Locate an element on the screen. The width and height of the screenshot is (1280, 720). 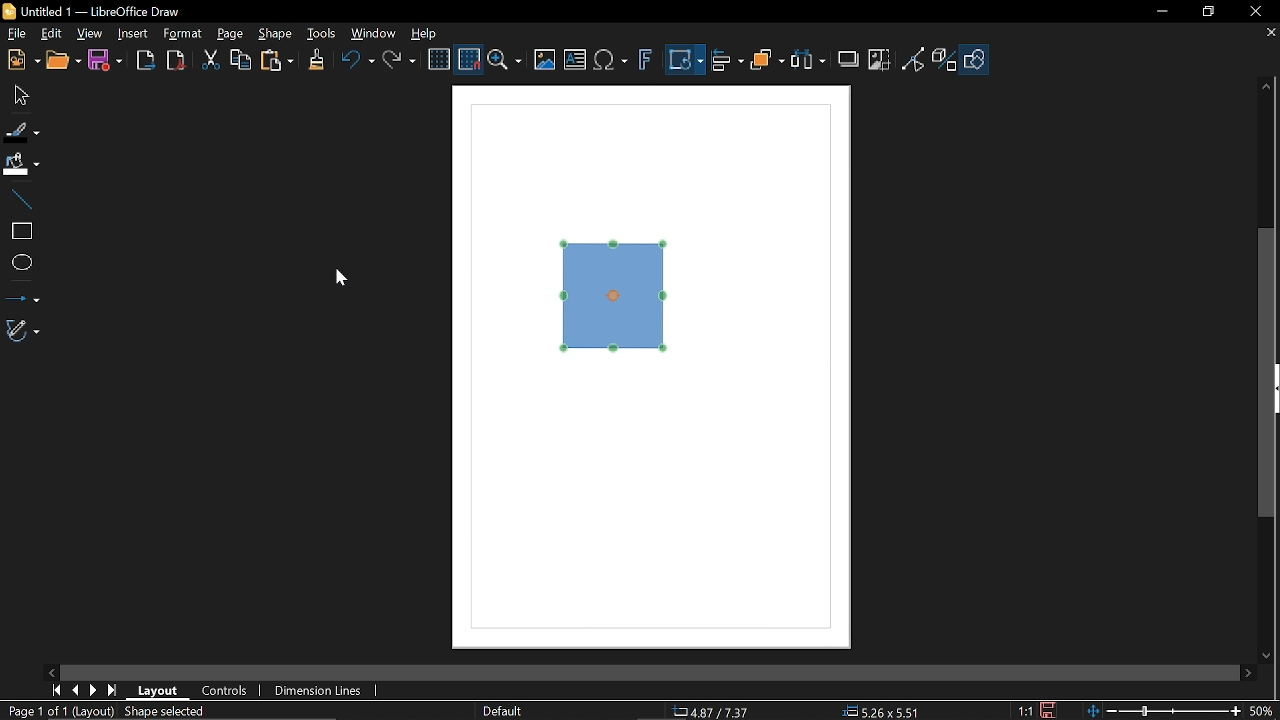
LibreOffice Logo is located at coordinates (9, 12).